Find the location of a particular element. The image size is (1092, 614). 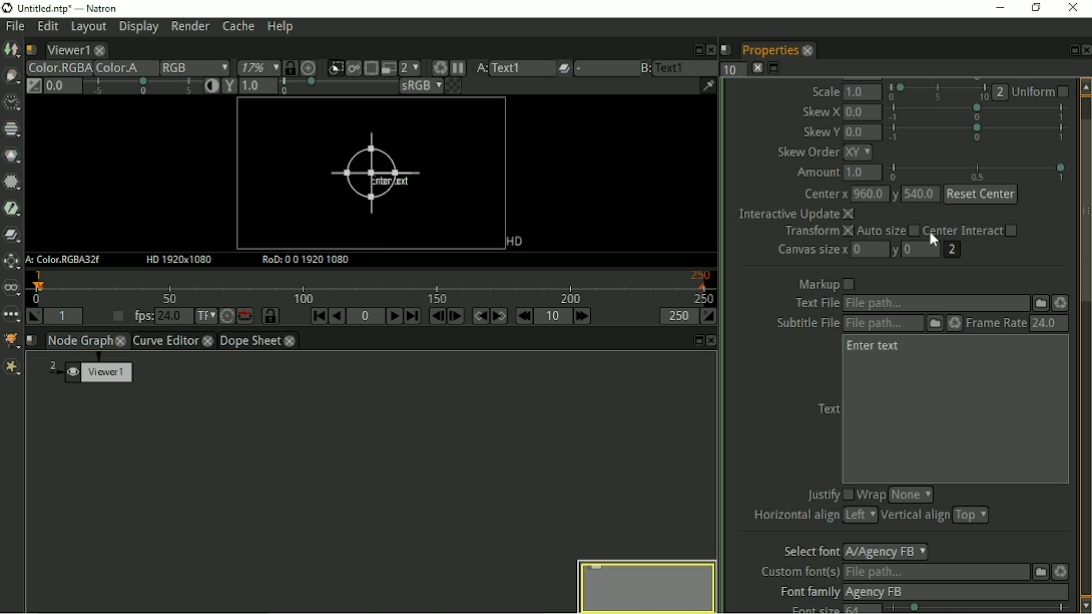

Clips the portion of image is located at coordinates (335, 66).